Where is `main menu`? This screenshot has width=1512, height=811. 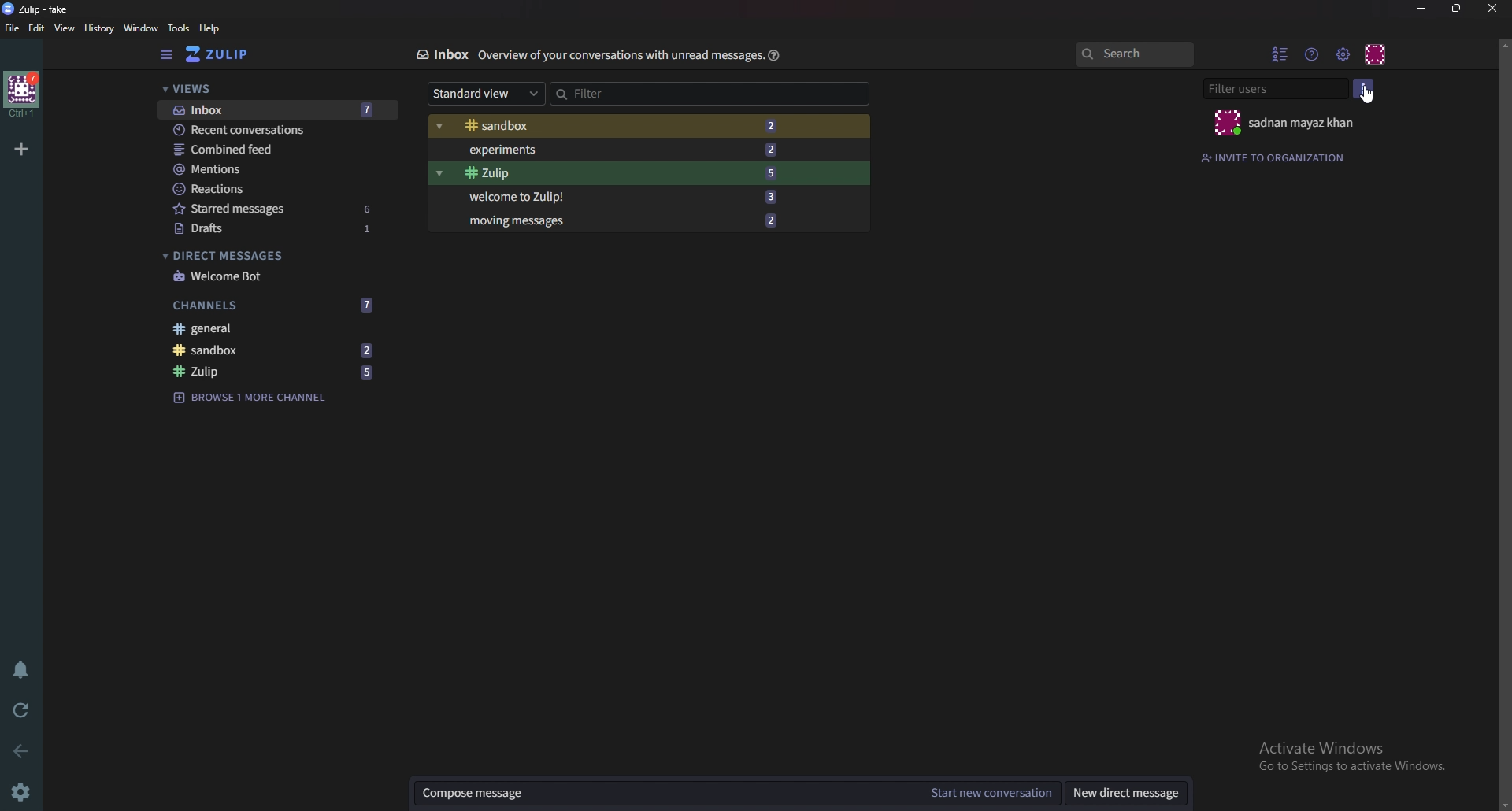
main menu is located at coordinates (1343, 54).